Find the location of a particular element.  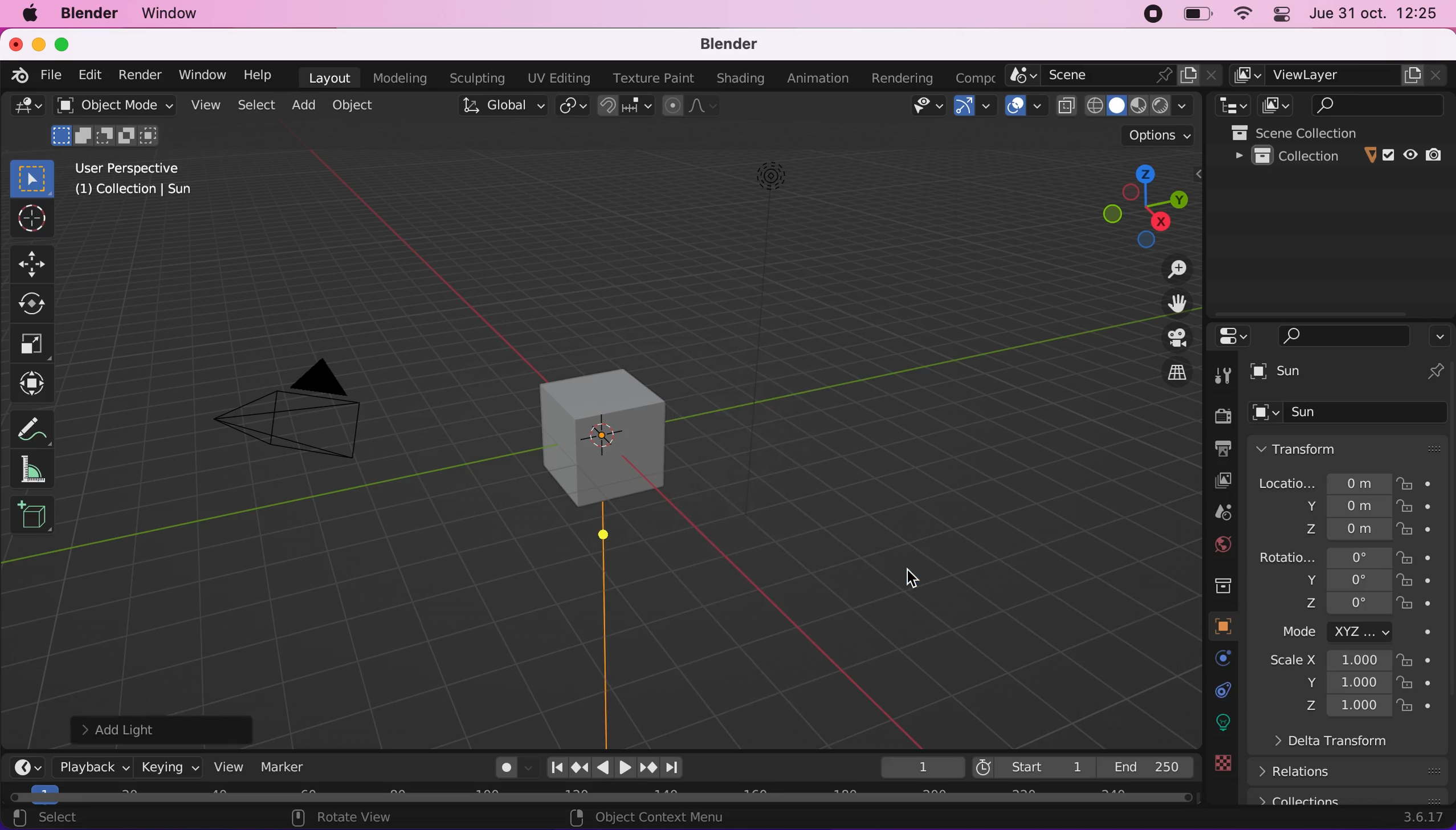

delta transform is located at coordinates (1361, 746).